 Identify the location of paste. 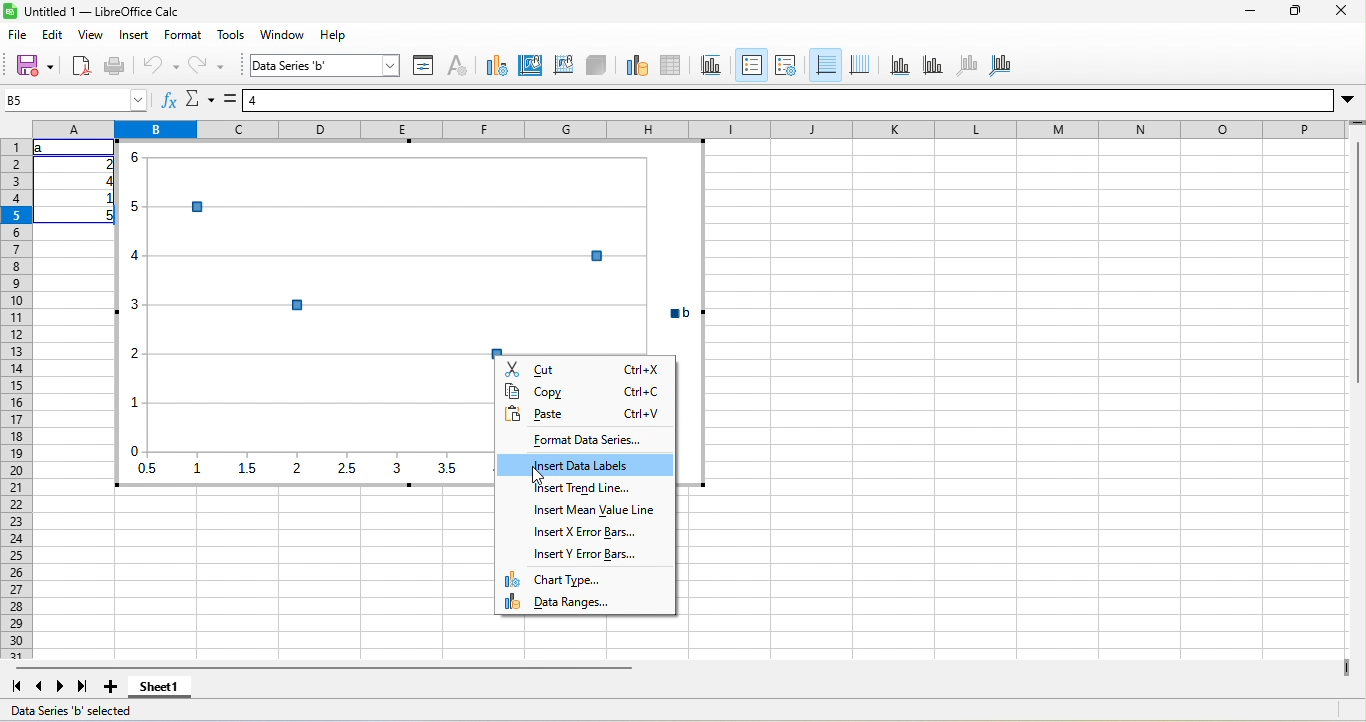
(584, 414).